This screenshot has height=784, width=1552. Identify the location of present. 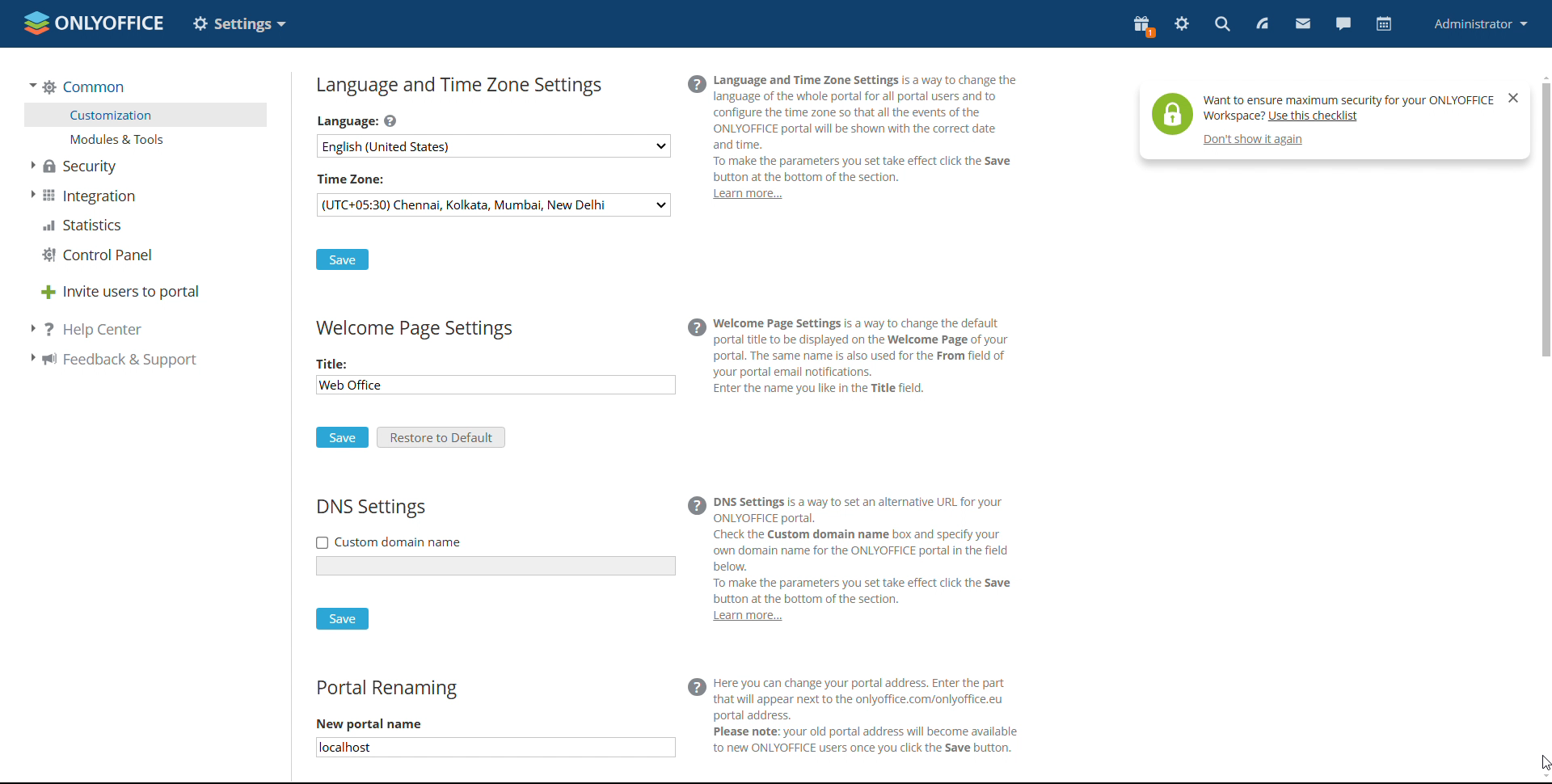
(1142, 27).